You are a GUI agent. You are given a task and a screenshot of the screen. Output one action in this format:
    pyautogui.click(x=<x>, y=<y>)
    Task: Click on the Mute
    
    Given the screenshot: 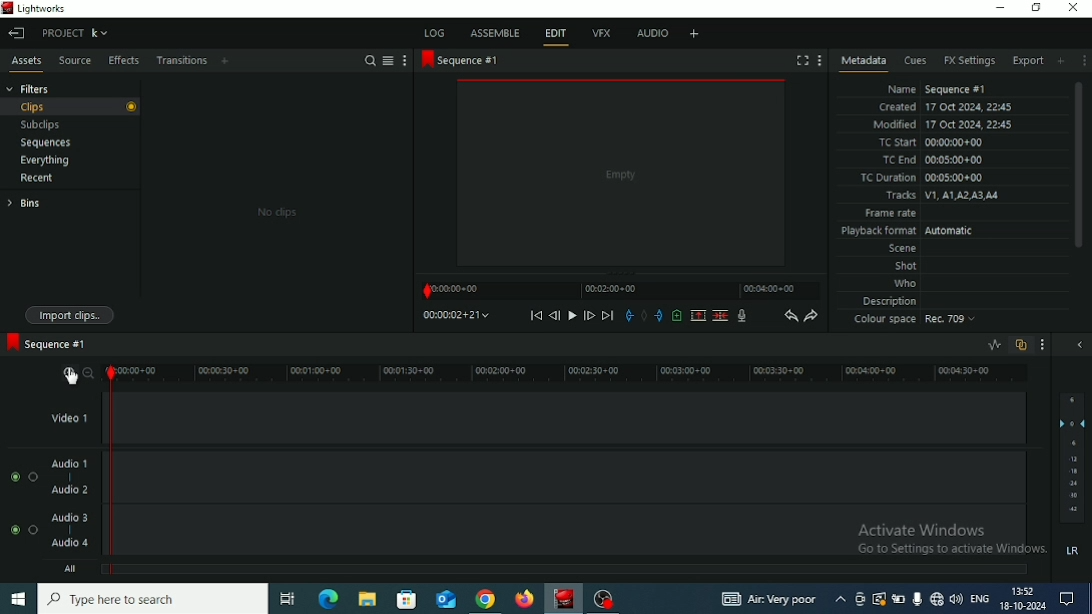 What is the action you would take?
    pyautogui.click(x=1074, y=550)
    